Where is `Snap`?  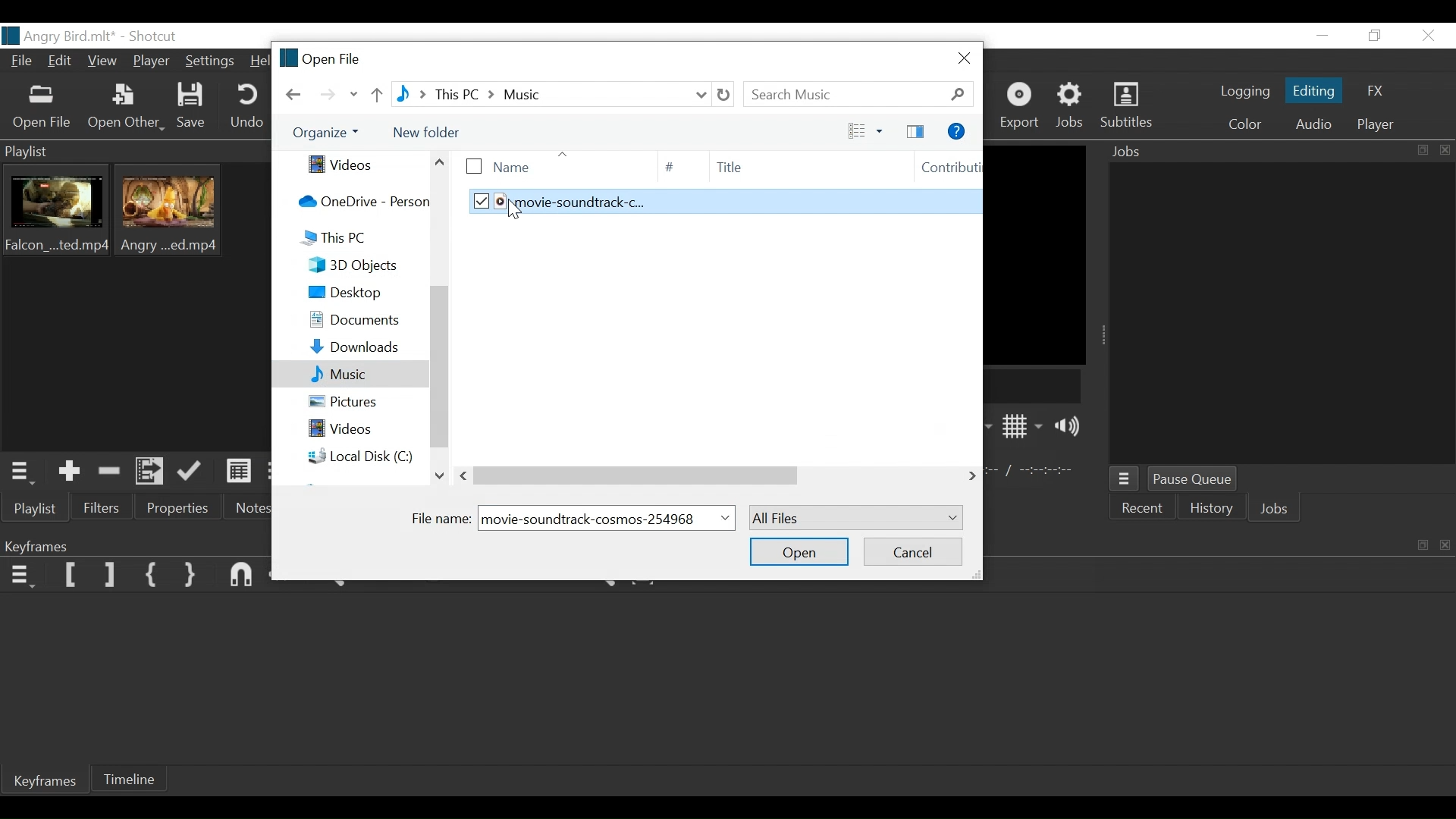 Snap is located at coordinates (243, 576).